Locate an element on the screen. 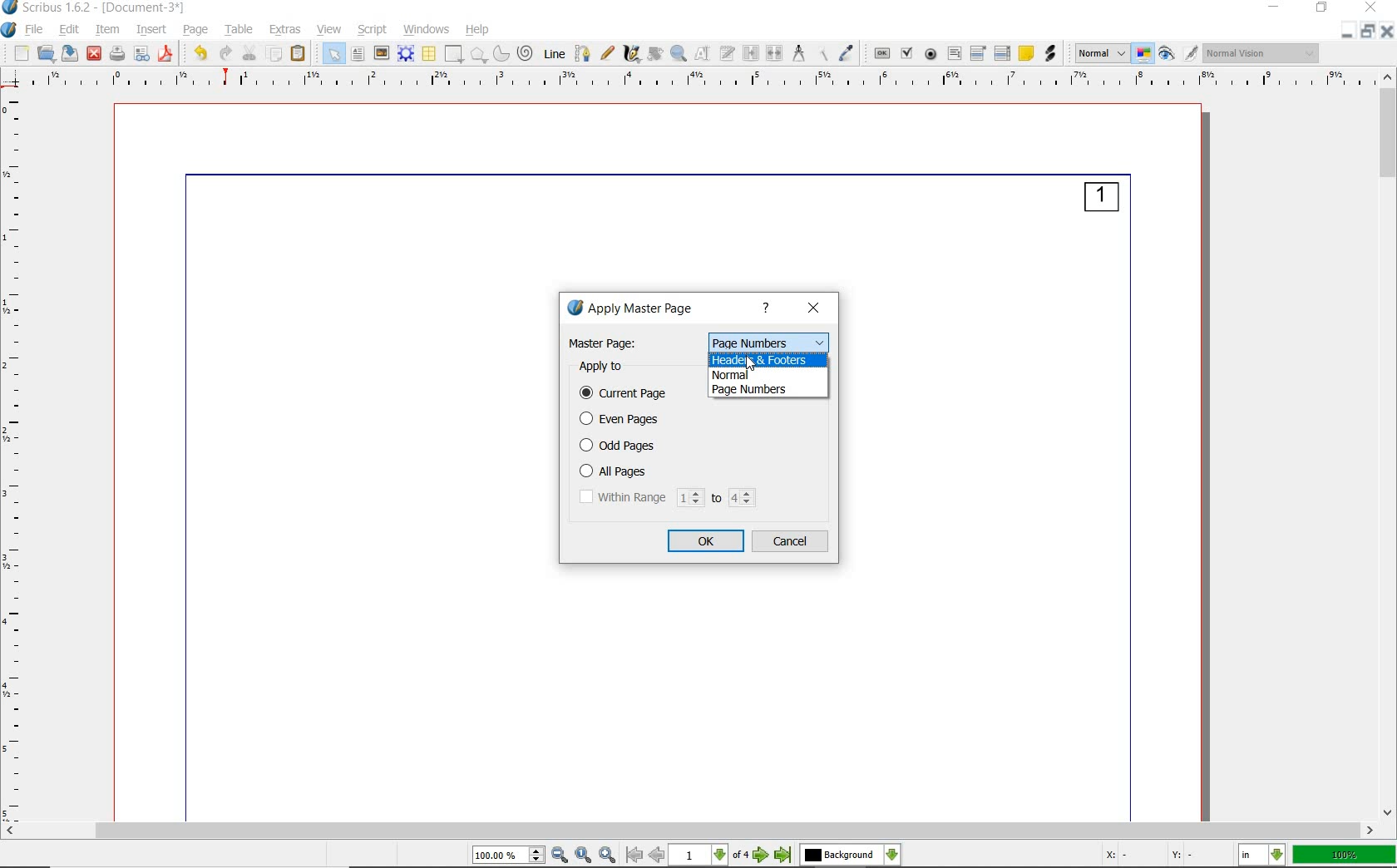  paste is located at coordinates (299, 54).